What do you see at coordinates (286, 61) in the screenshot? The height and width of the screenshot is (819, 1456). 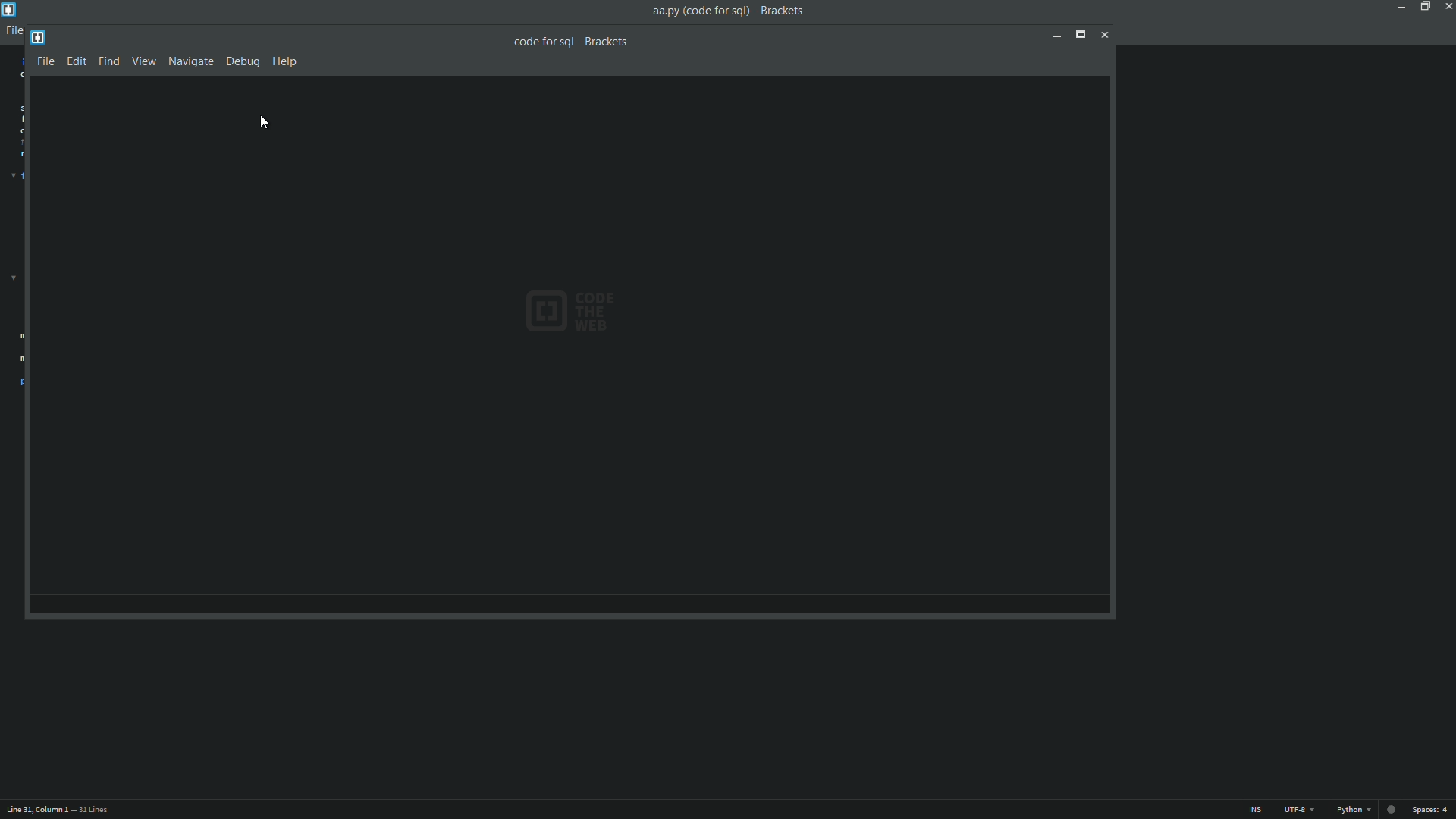 I see `Help` at bounding box center [286, 61].